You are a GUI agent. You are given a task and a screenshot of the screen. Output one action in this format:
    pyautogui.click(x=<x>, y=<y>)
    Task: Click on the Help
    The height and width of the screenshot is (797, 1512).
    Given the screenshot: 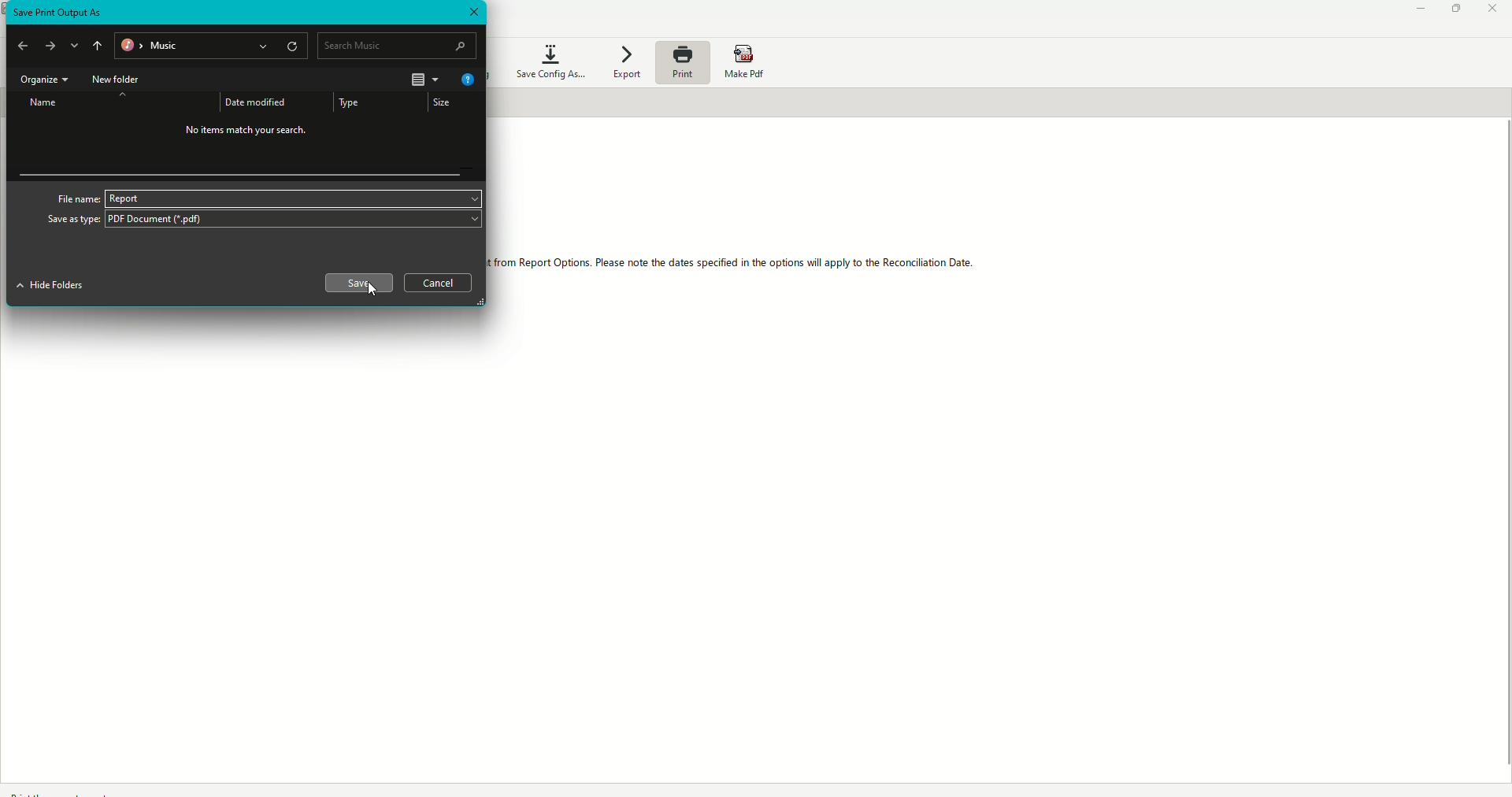 What is the action you would take?
    pyautogui.click(x=467, y=81)
    